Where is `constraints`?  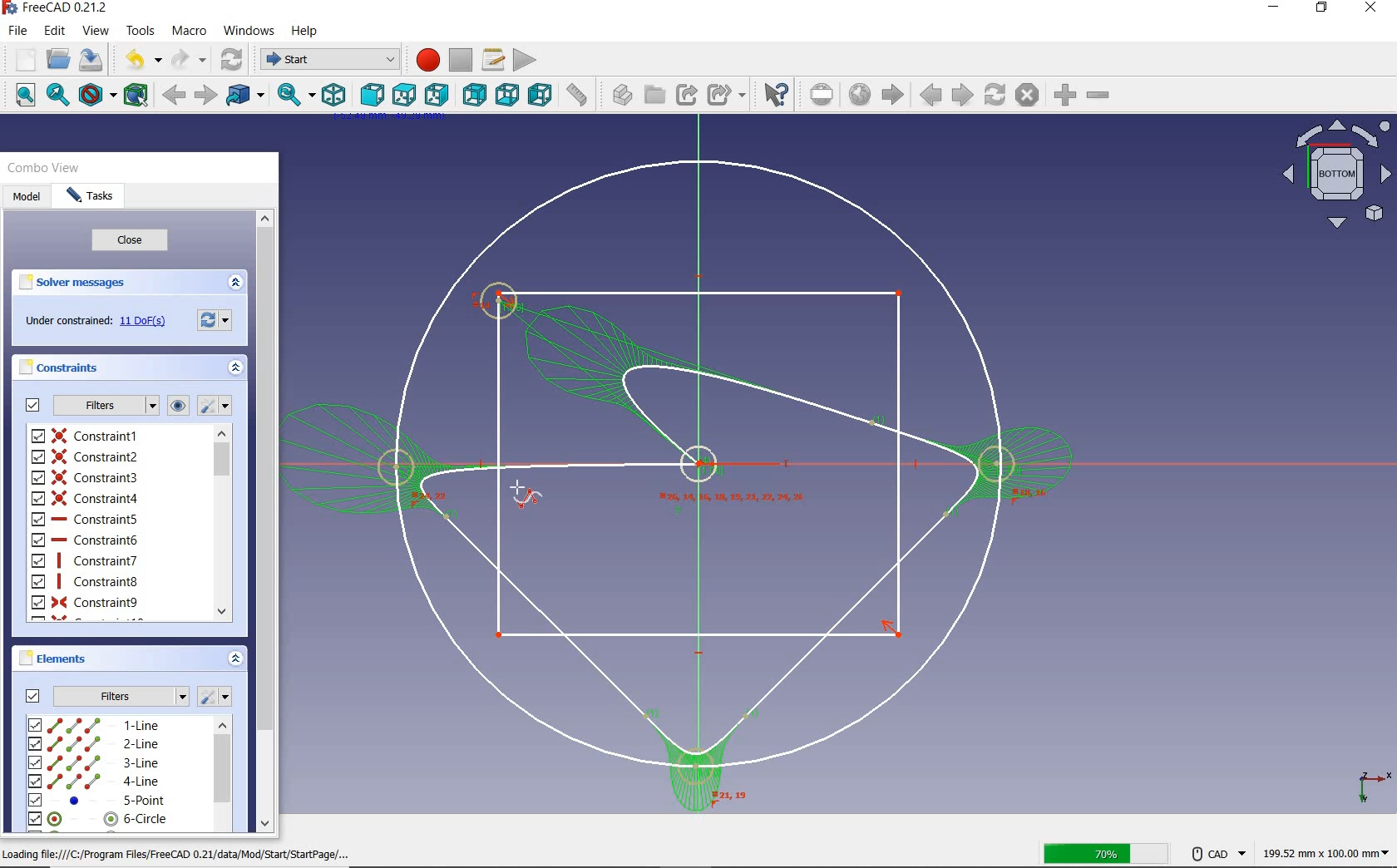
constraints is located at coordinates (62, 367).